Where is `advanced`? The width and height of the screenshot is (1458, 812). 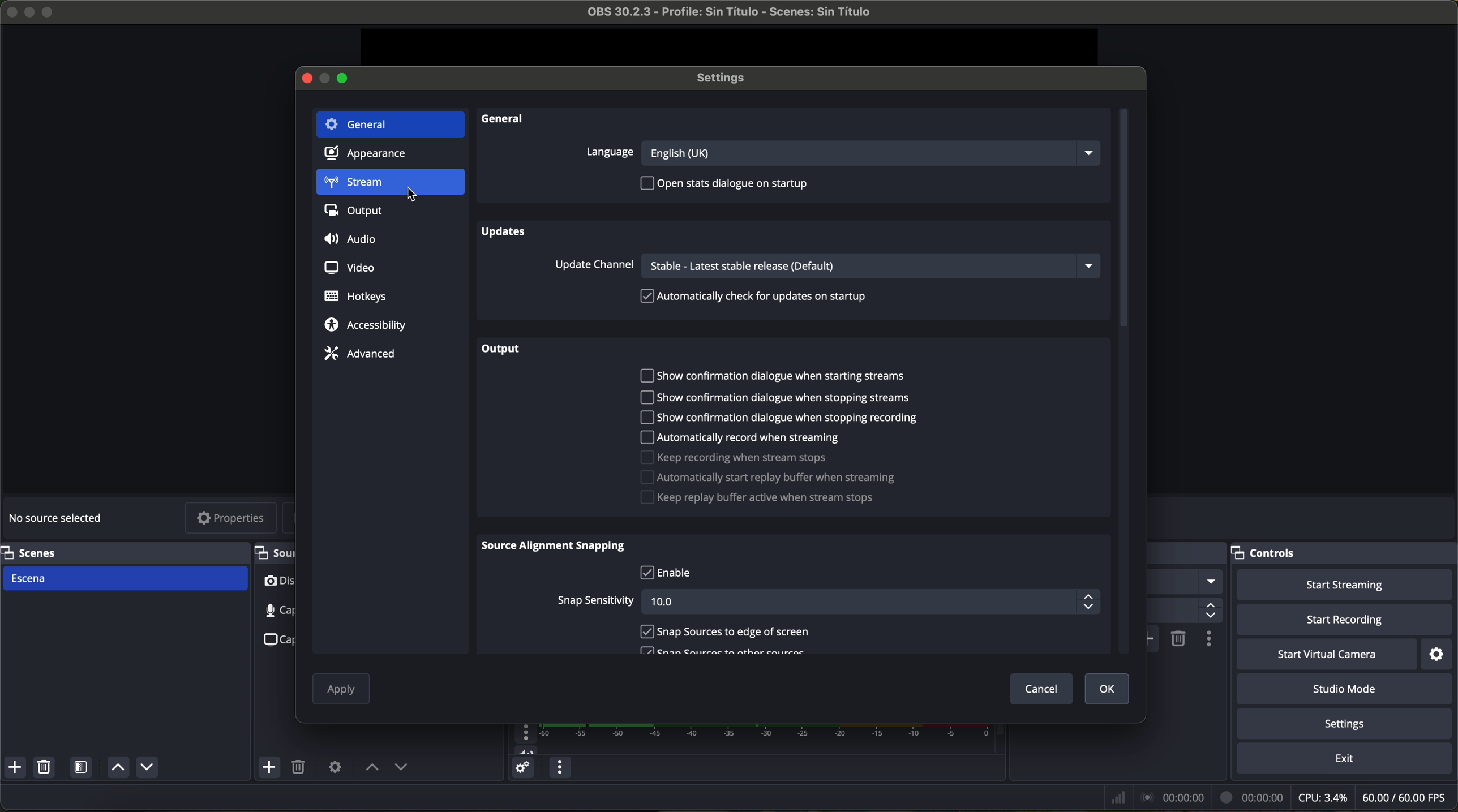
advanced is located at coordinates (359, 353).